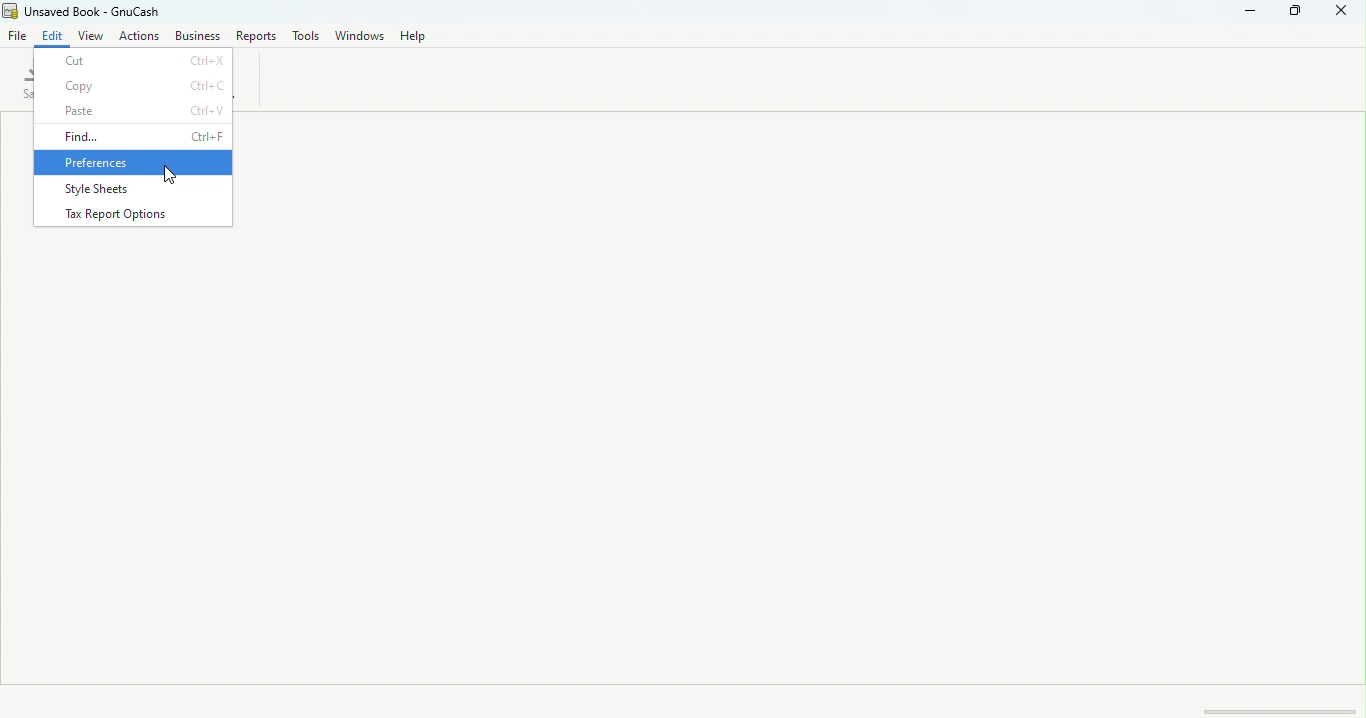 The image size is (1366, 718). I want to click on Status bar, so click(683, 701).